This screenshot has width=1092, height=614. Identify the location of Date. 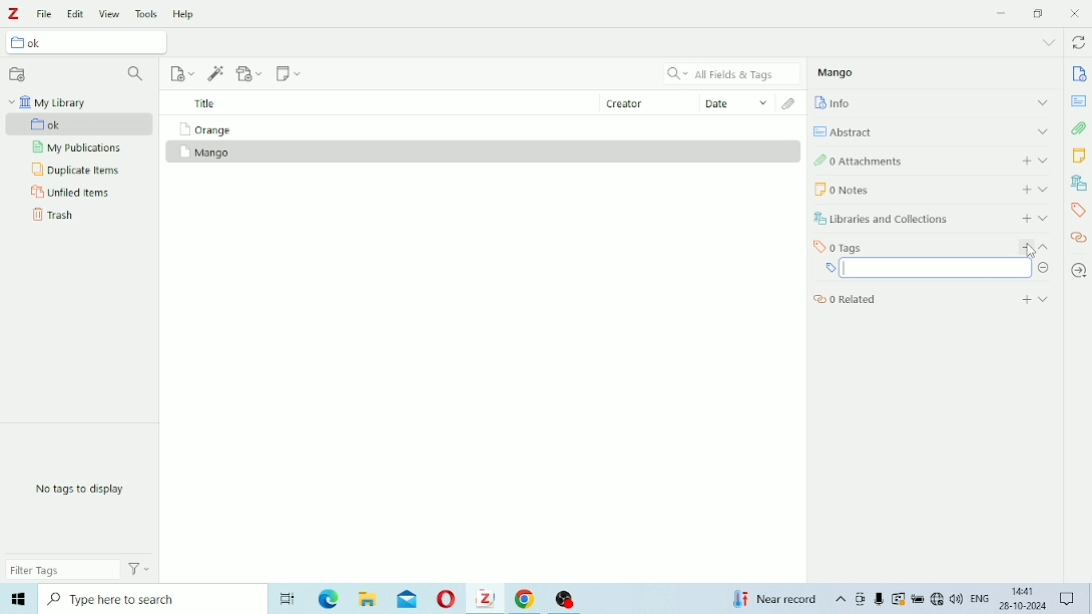
(737, 103).